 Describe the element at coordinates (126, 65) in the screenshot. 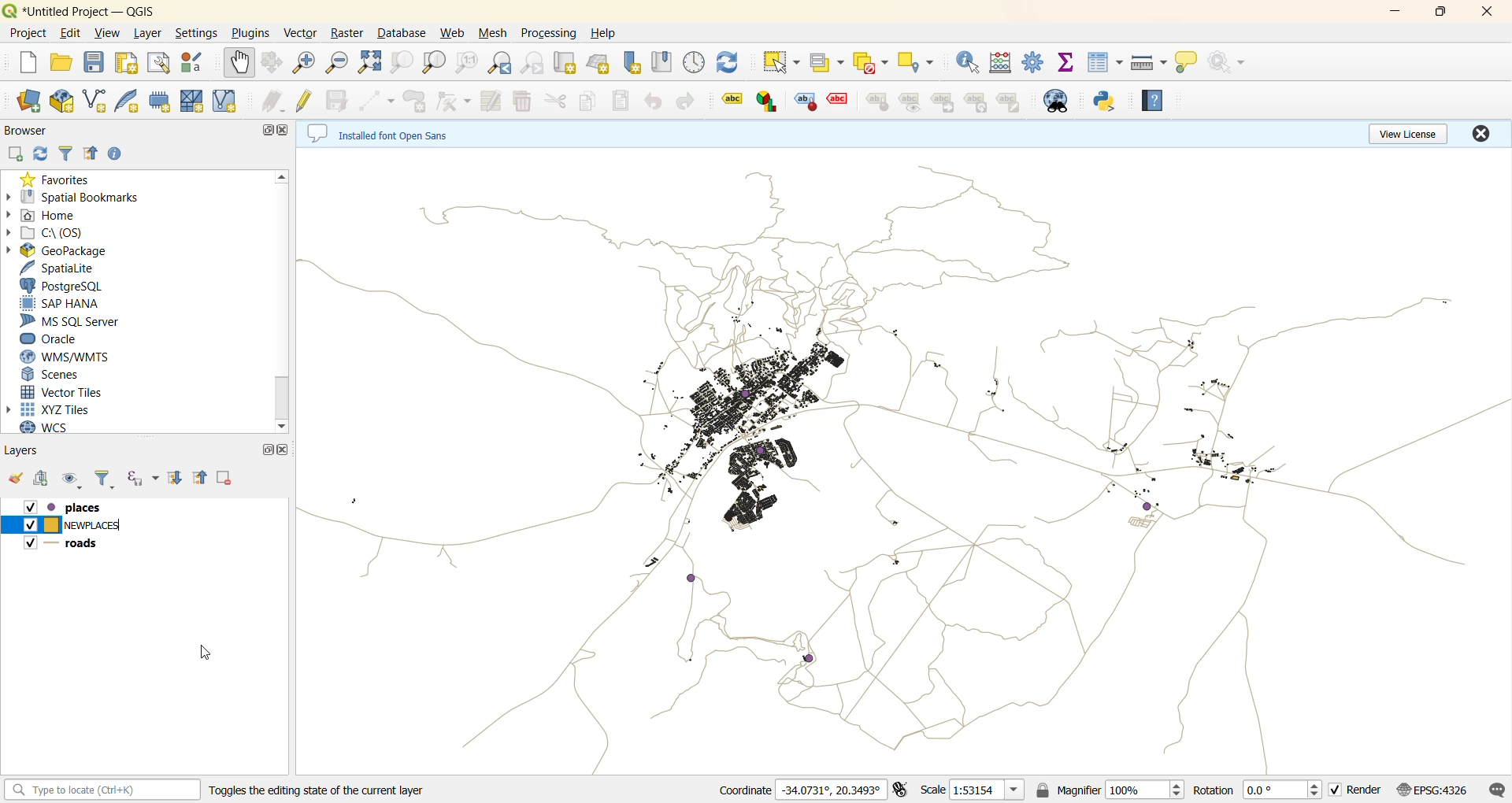

I see `print layout` at that location.